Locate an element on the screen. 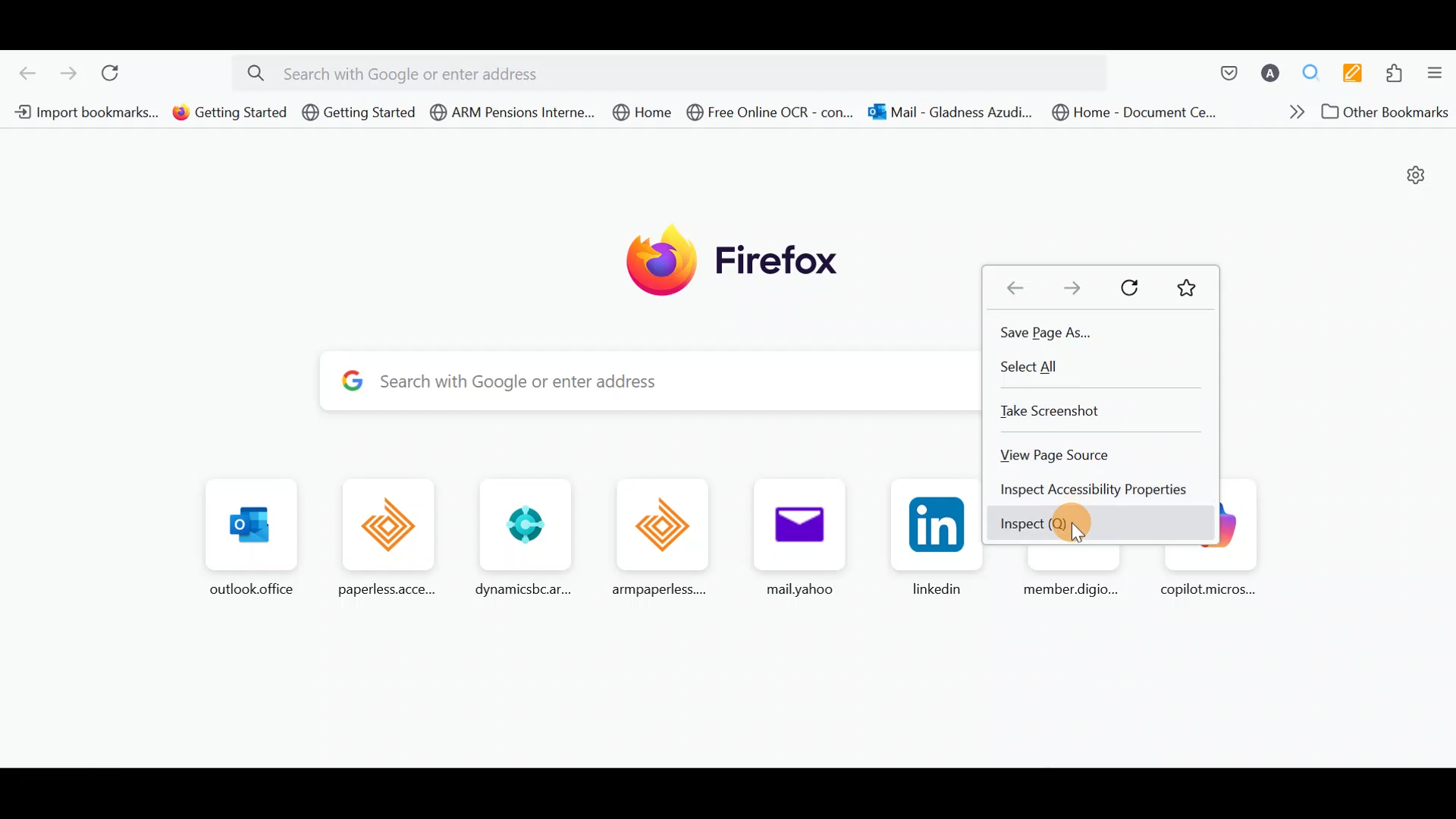  Reload current page is located at coordinates (1134, 286).